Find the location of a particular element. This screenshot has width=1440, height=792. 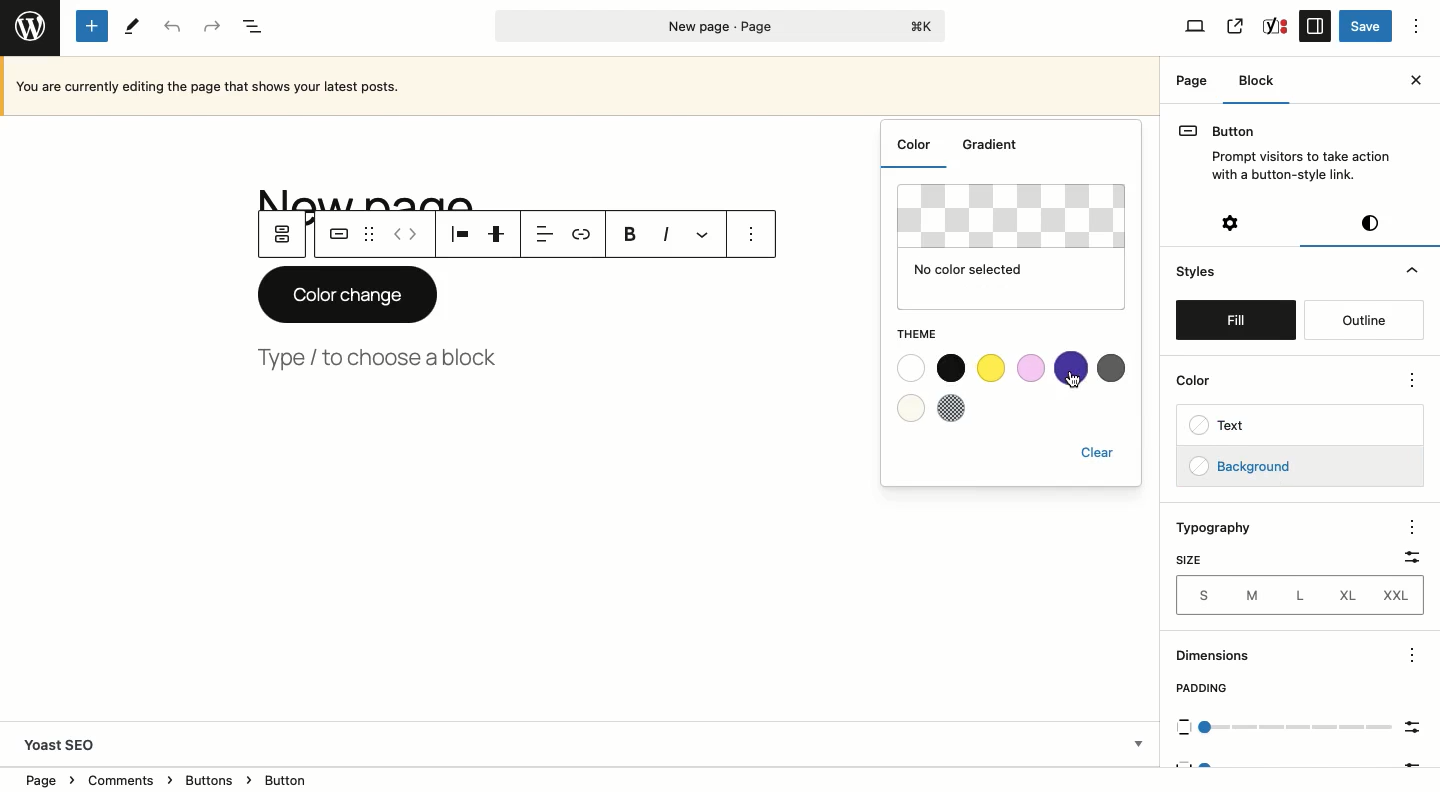

Close is located at coordinates (1414, 80).